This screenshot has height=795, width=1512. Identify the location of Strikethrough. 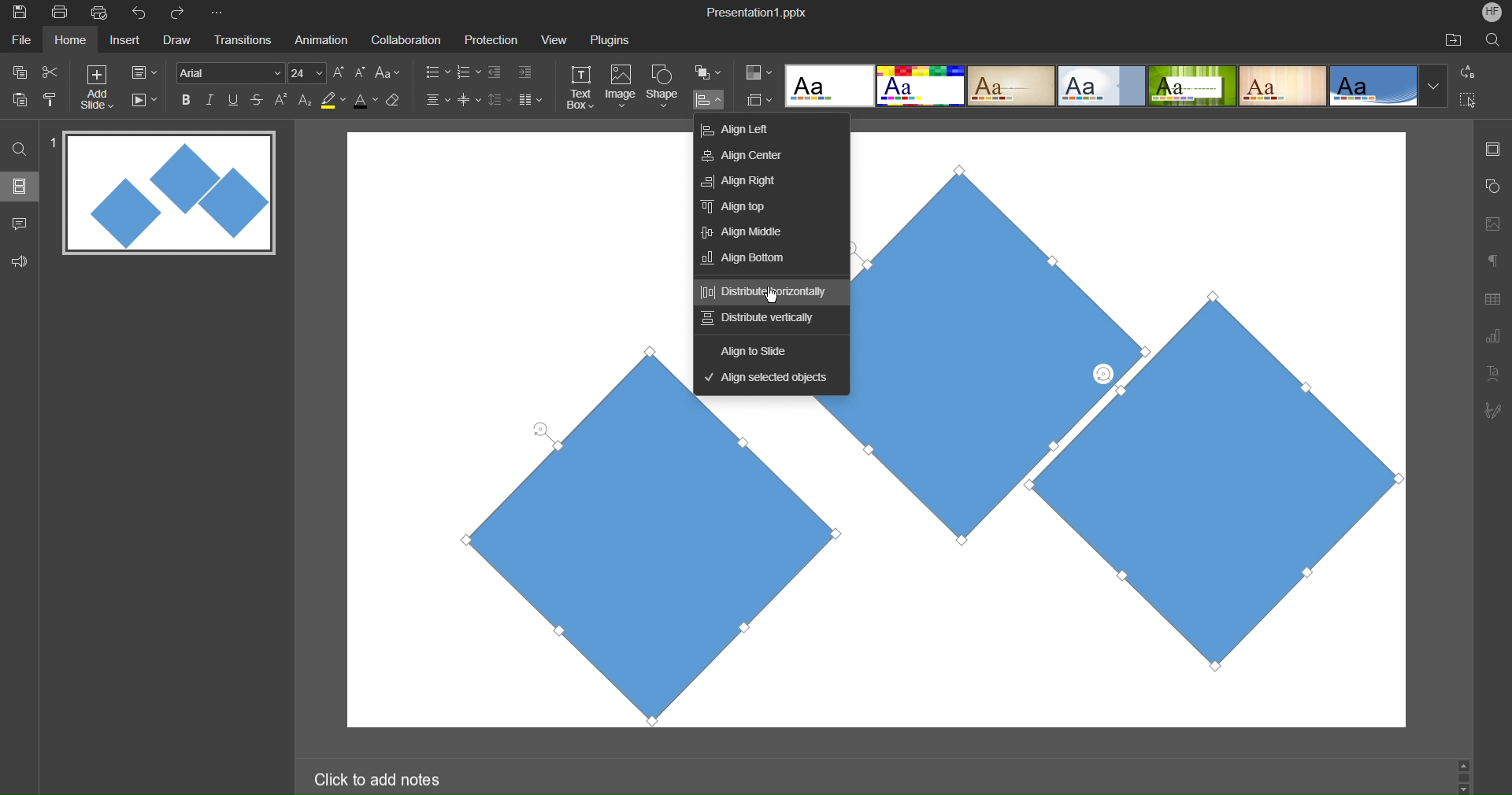
(258, 99).